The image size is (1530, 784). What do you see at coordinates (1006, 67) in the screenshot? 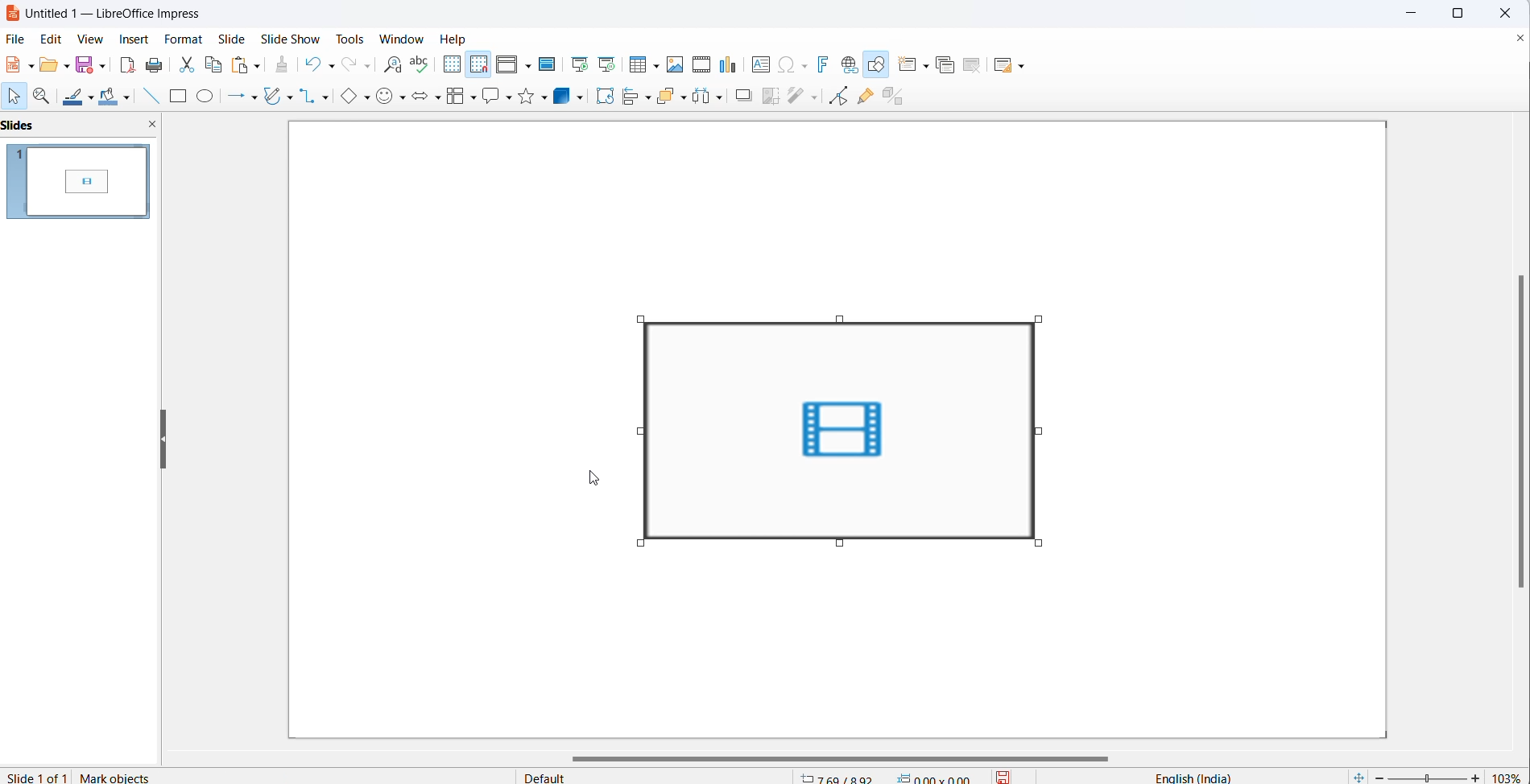
I see `slide layout` at bounding box center [1006, 67].